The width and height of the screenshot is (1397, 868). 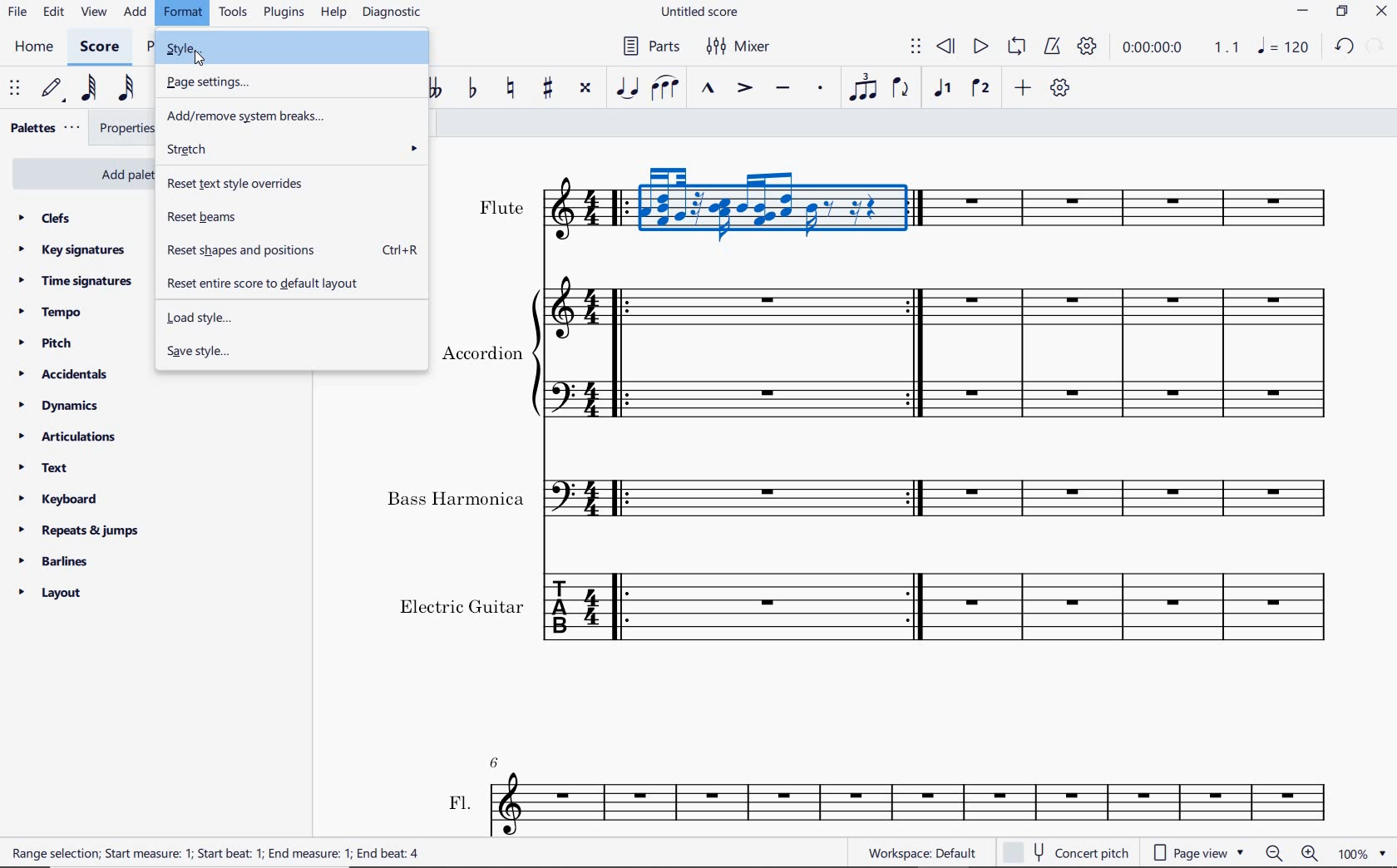 I want to click on tempo, so click(x=53, y=313).